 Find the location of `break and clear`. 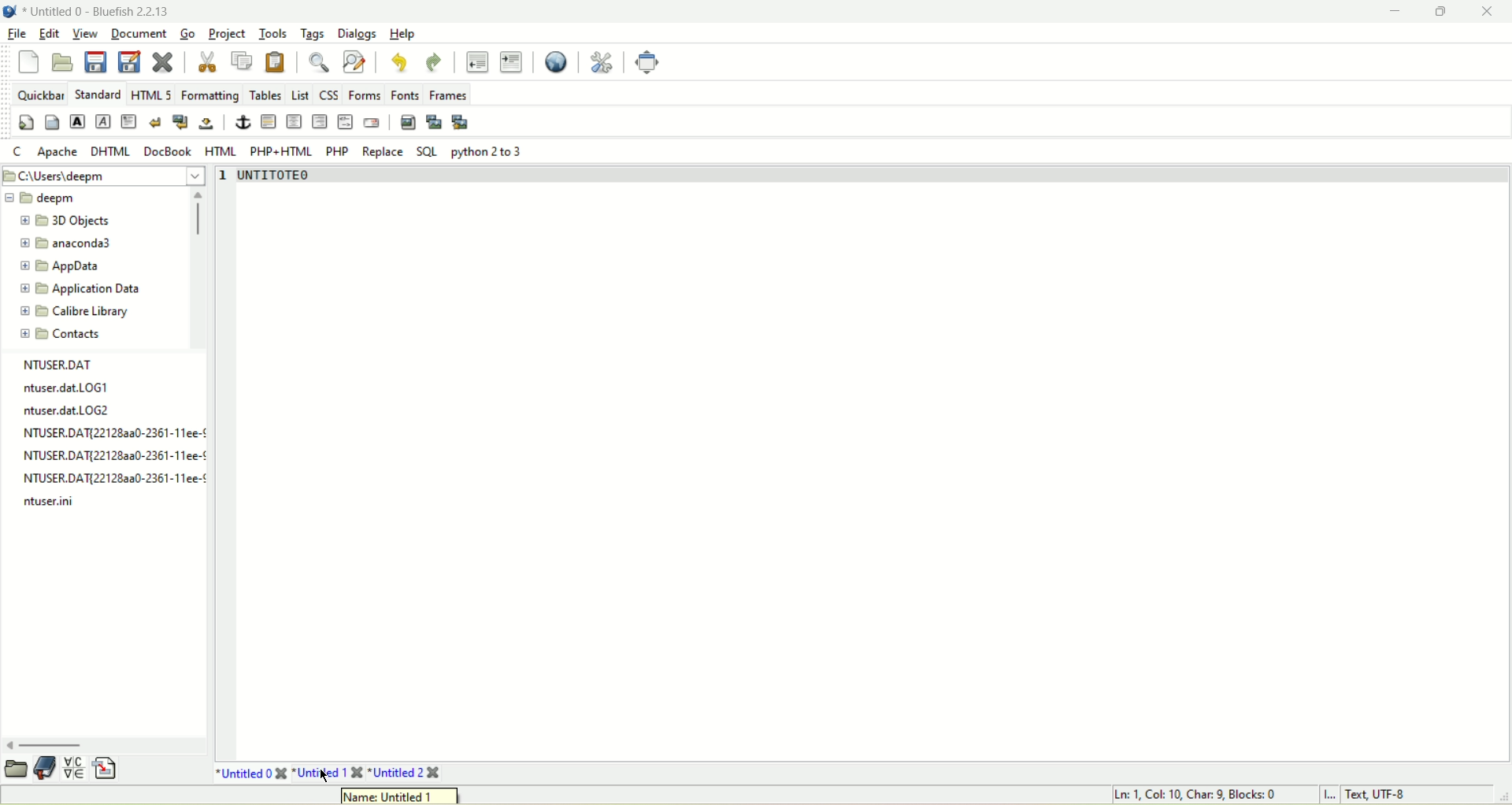

break and clear is located at coordinates (180, 122).